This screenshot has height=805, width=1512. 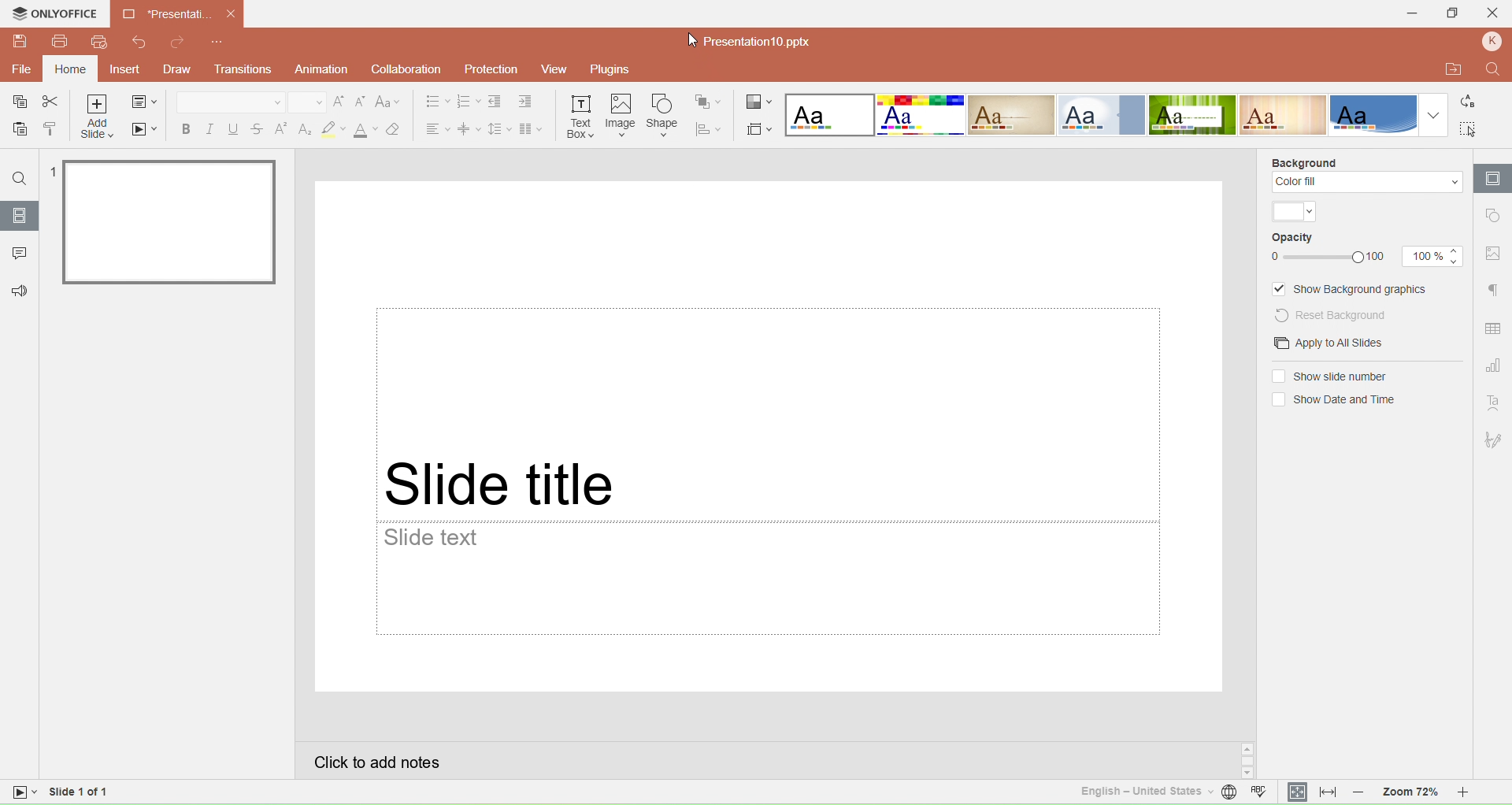 I want to click on Underline, so click(x=233, y=128).